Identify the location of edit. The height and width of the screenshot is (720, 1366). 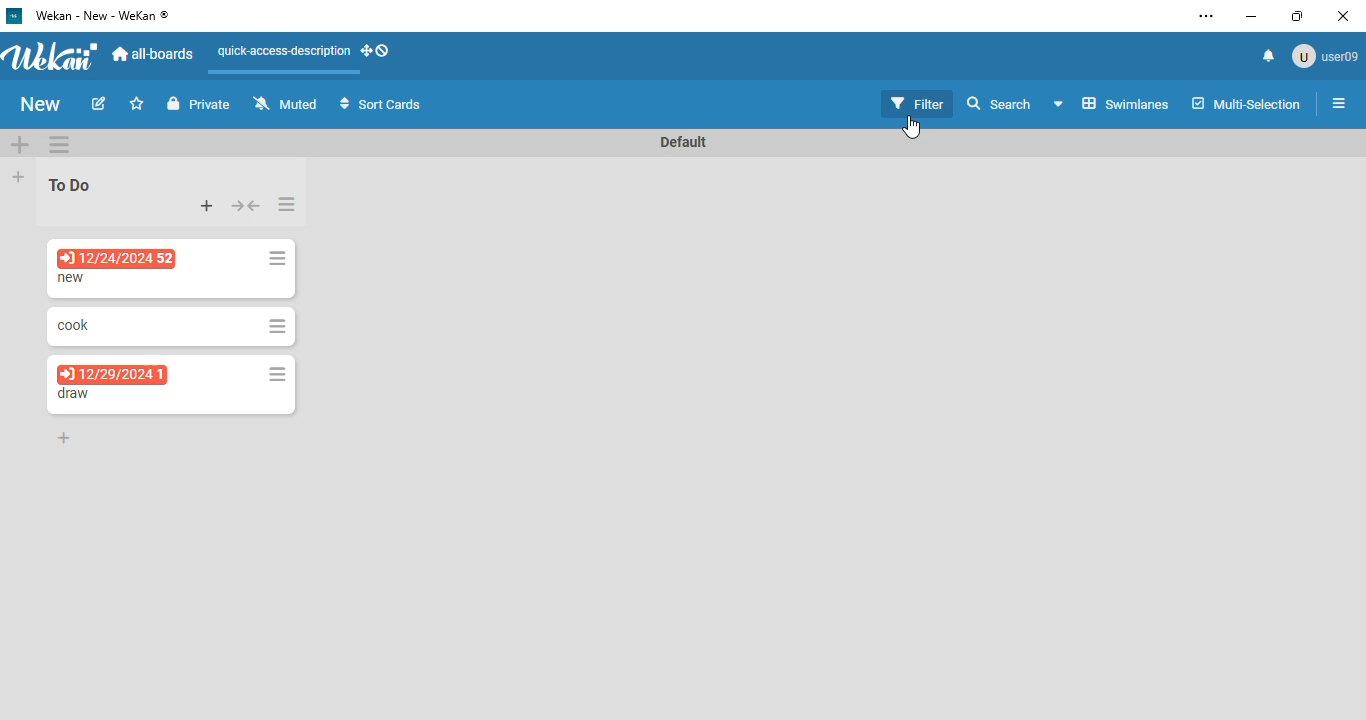
(100, 103).